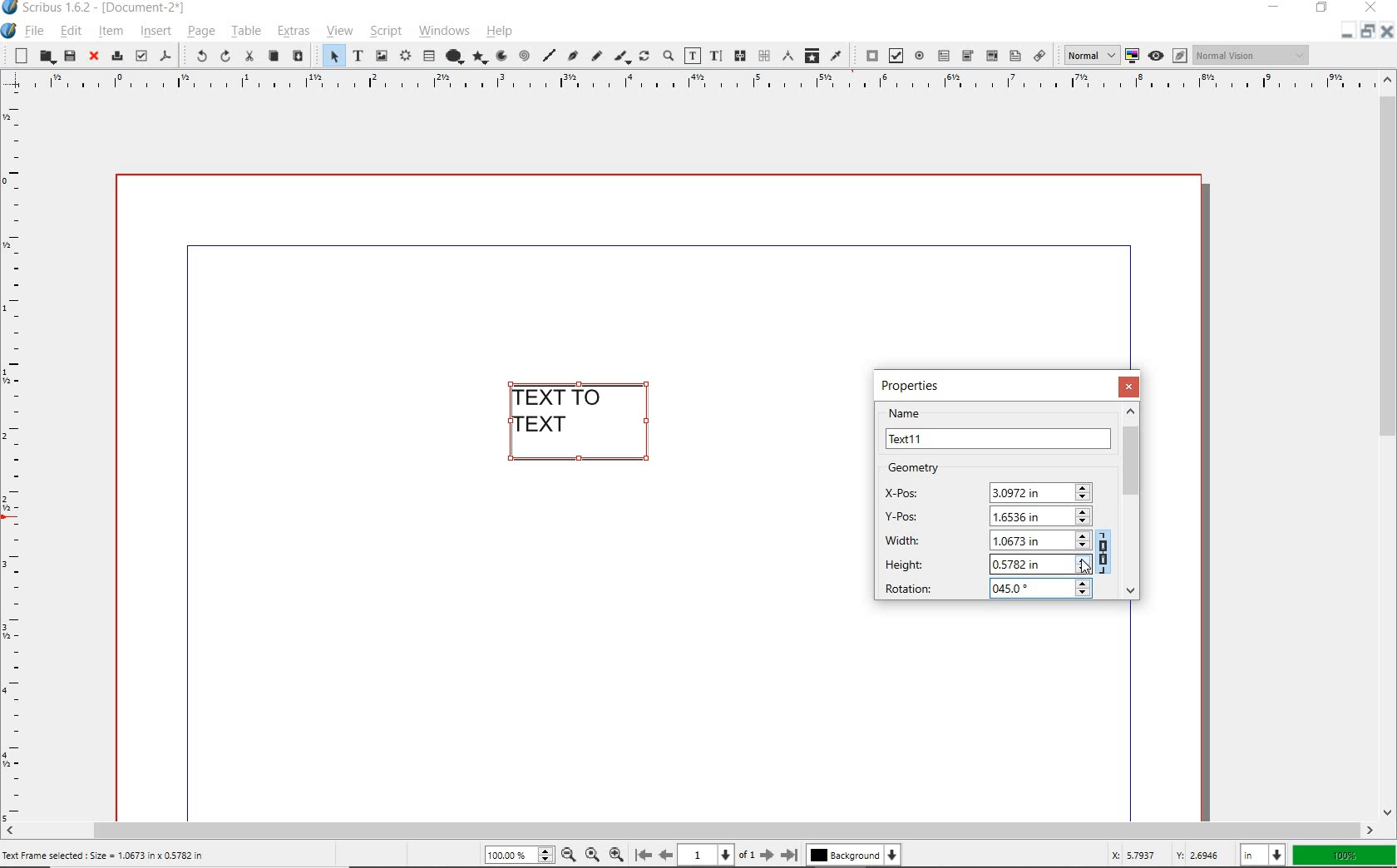 Image resolution: width=1397 pixels, height=868 pixels. Describe the element at coordinates (1260, 856) in the screenshot. I see `select unit` at that location.